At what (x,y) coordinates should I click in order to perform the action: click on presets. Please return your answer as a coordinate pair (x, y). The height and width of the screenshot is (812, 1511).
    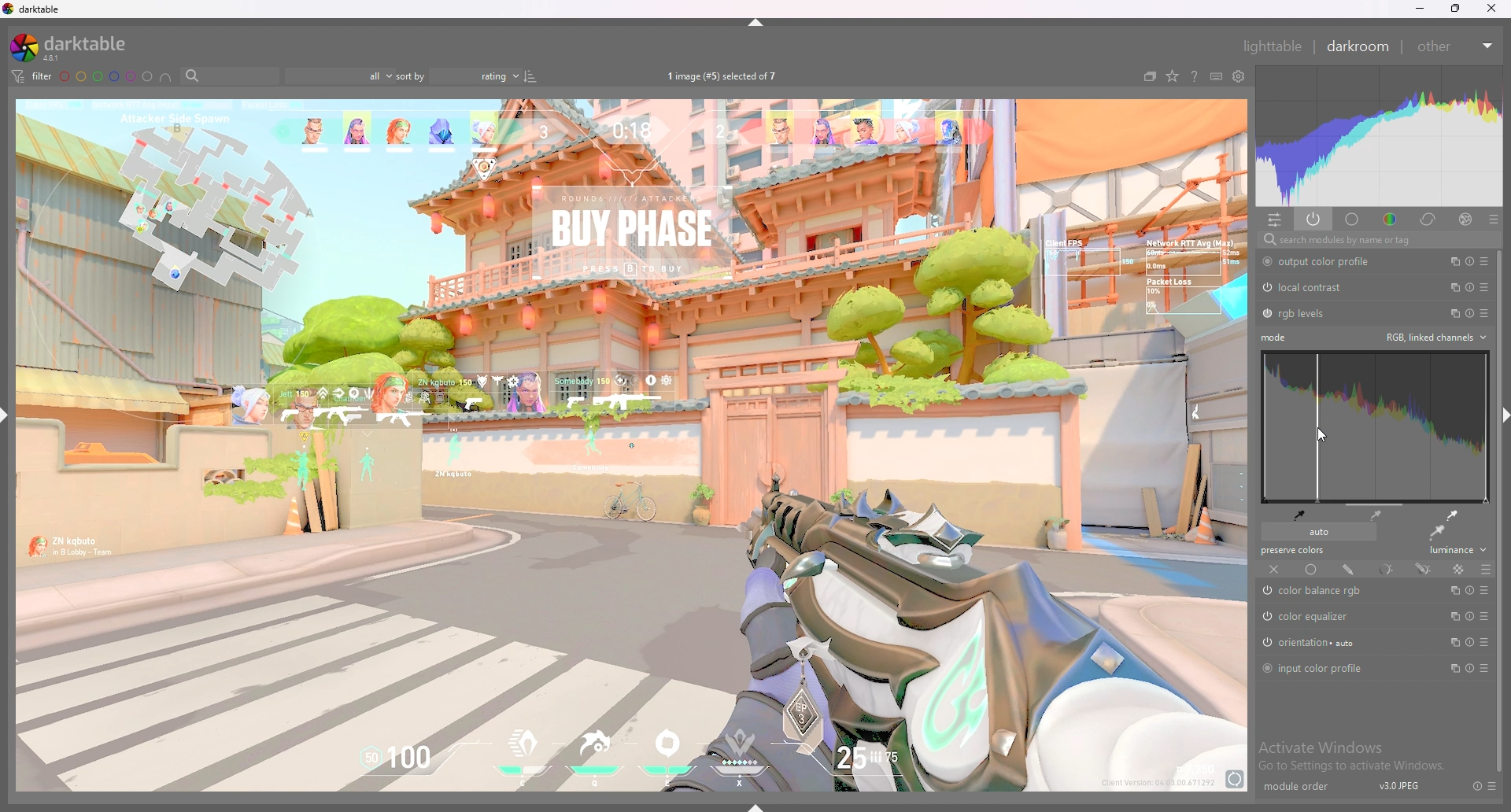
    Looking at the image, I should click on (1493, 219).